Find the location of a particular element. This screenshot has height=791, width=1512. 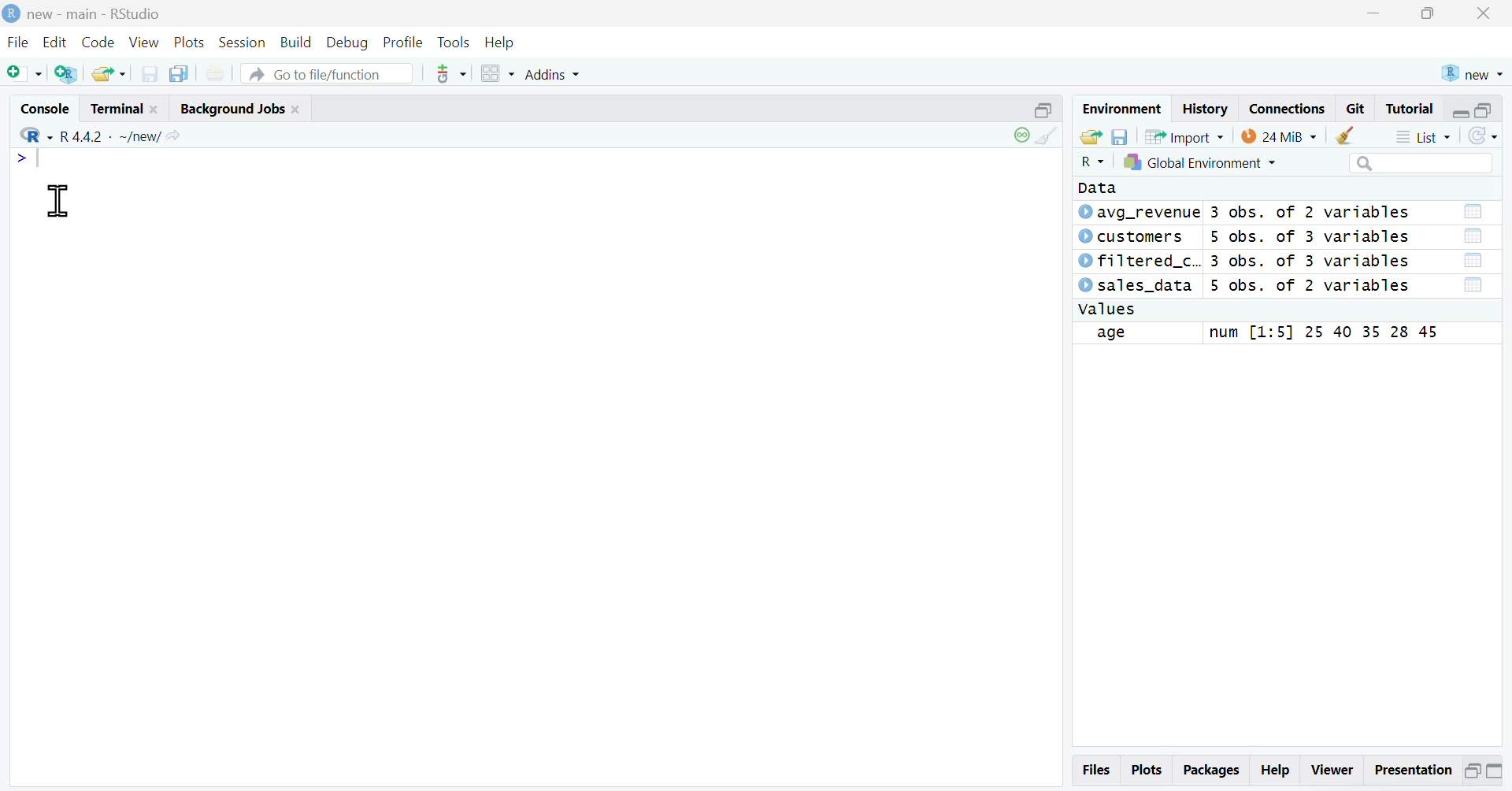

Open dataset in table view is located at coordinates (1473, 249).